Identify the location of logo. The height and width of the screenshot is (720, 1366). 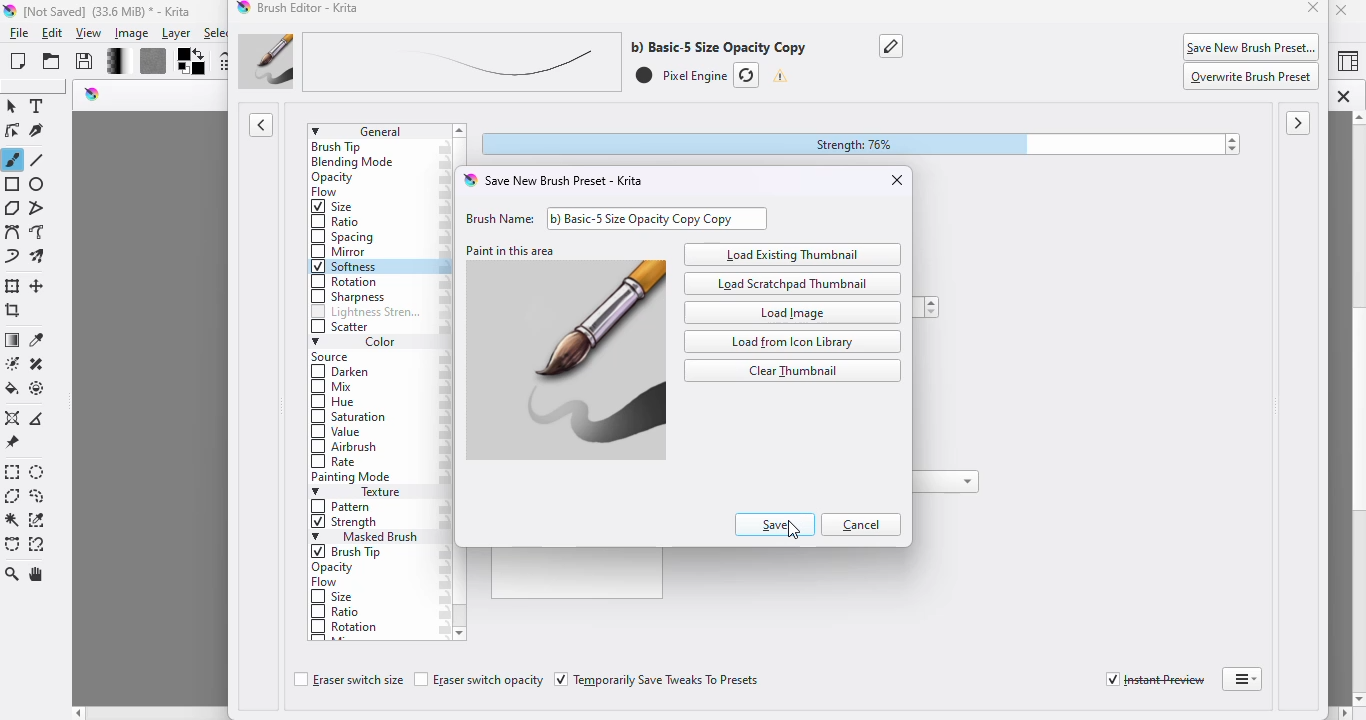
(10, 12).